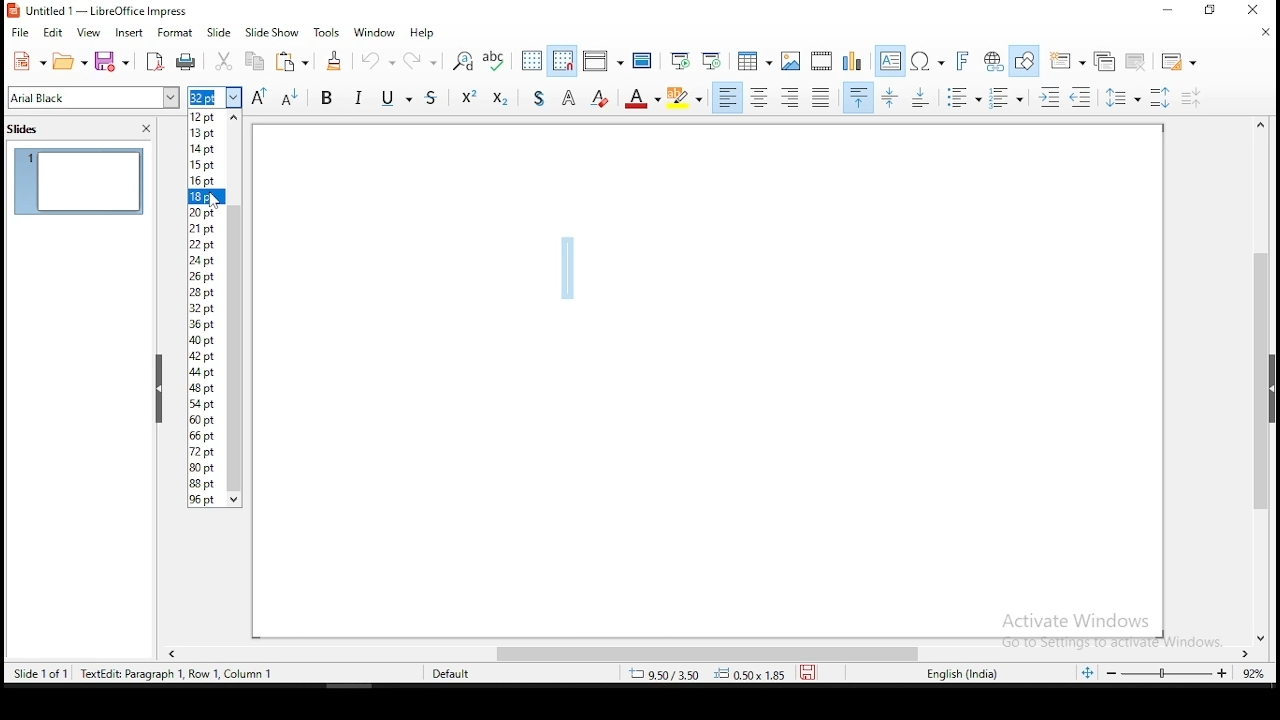 The image size is (1280, 720). Describe the element at coordinates (206, 372) in the screenshot. I see `44` at that location.